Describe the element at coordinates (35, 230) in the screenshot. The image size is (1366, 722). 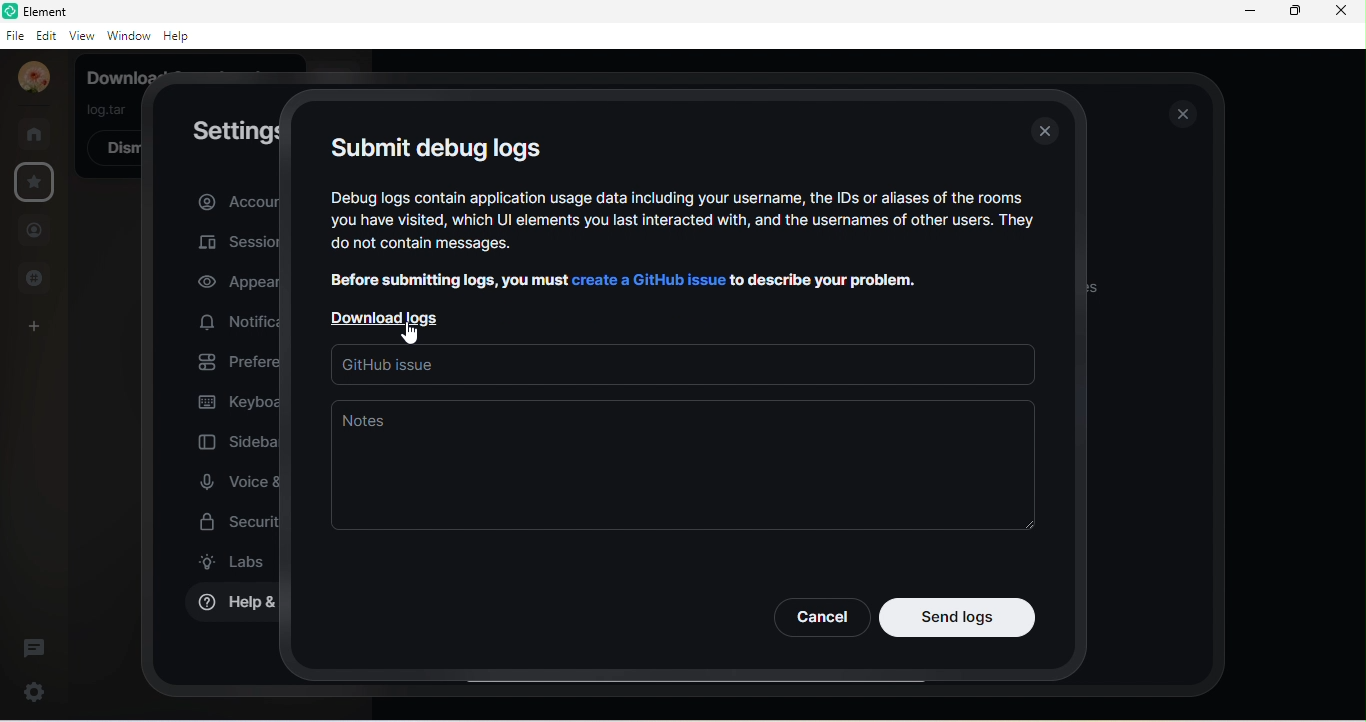
I see `people` at that location.